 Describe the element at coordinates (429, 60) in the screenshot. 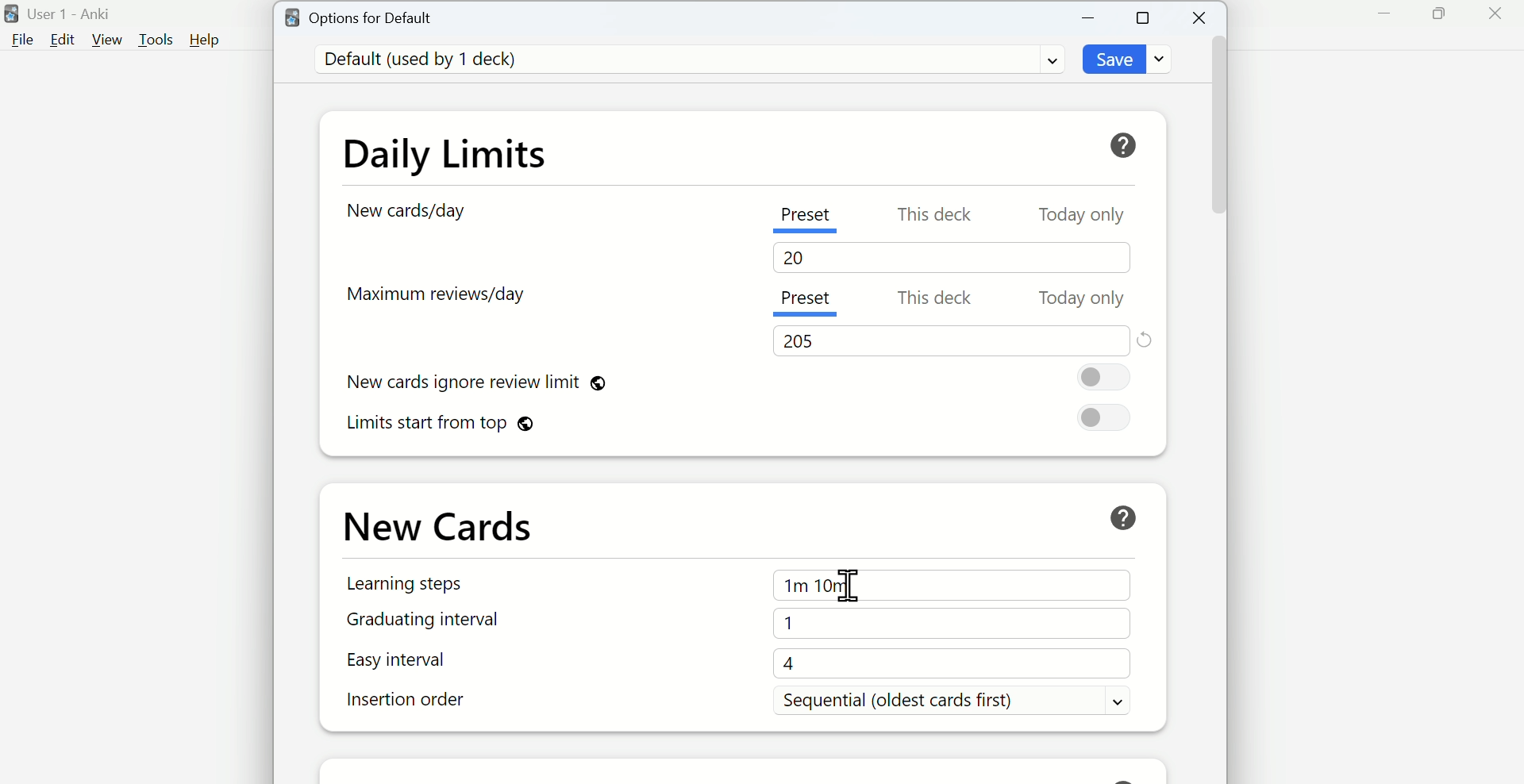

I see `Default (used by 1 deck)` at that location.